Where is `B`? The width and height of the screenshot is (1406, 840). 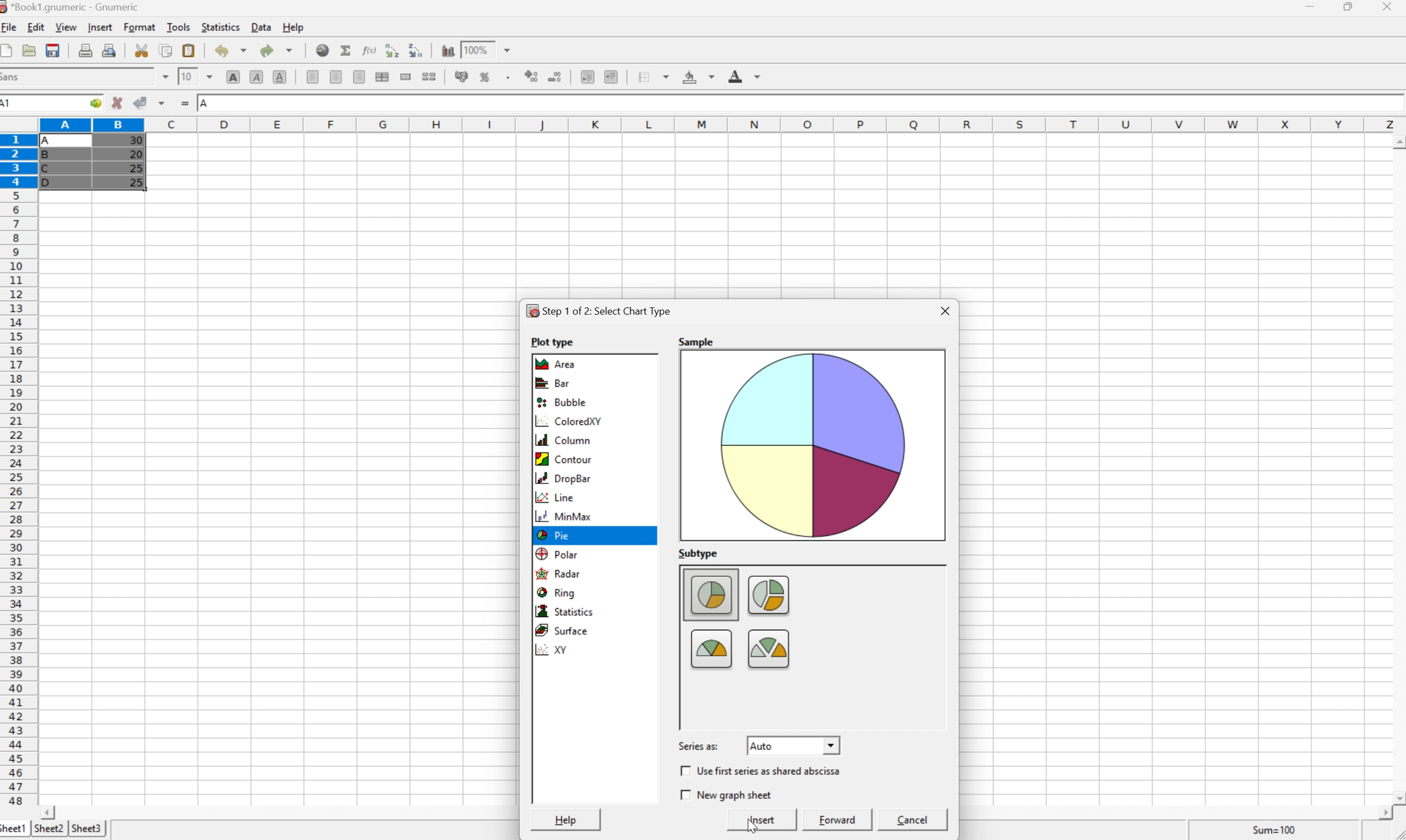
B is located at coordinates (49, 156).